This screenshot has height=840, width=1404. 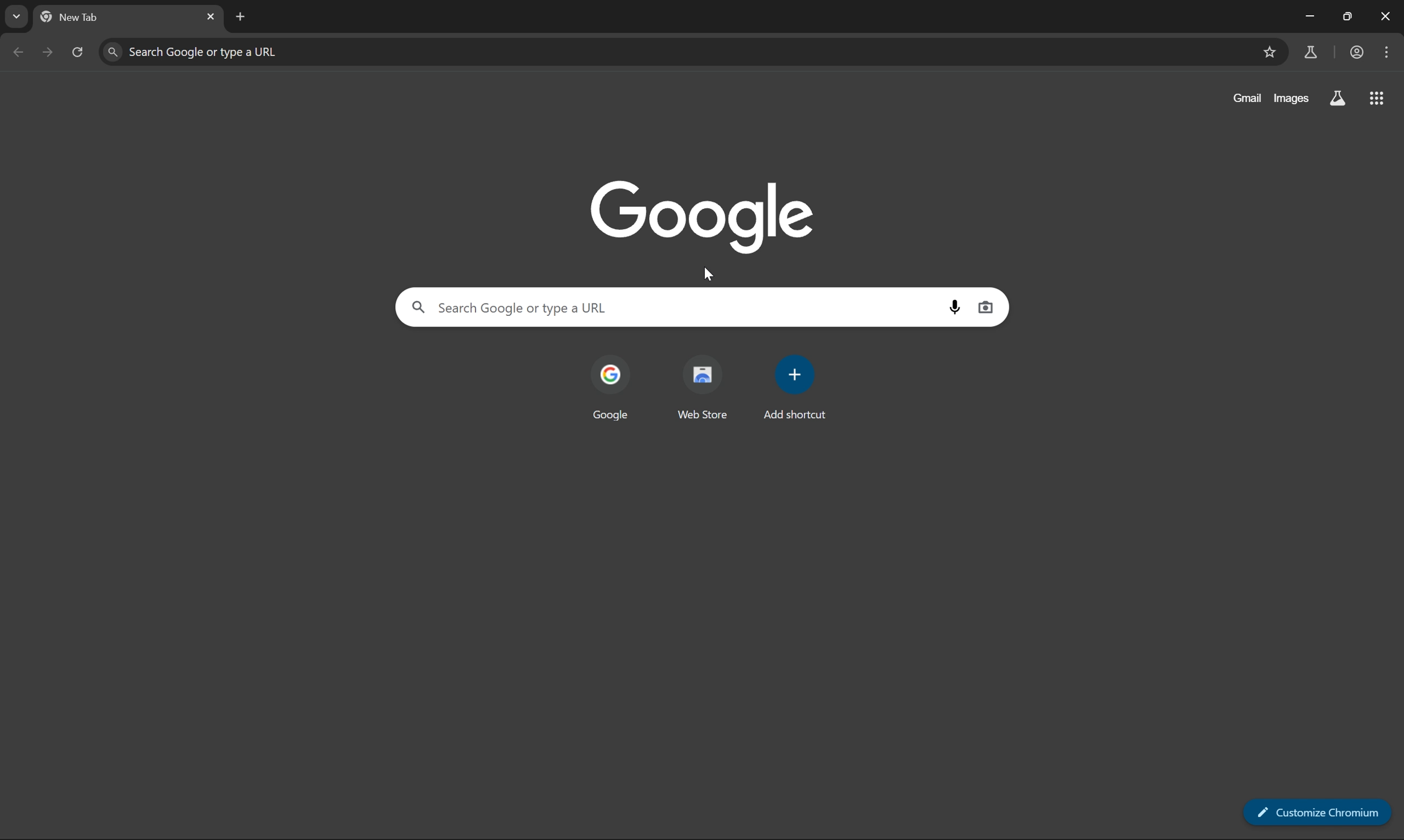 I want to click on google, so click(x=705, y=219).